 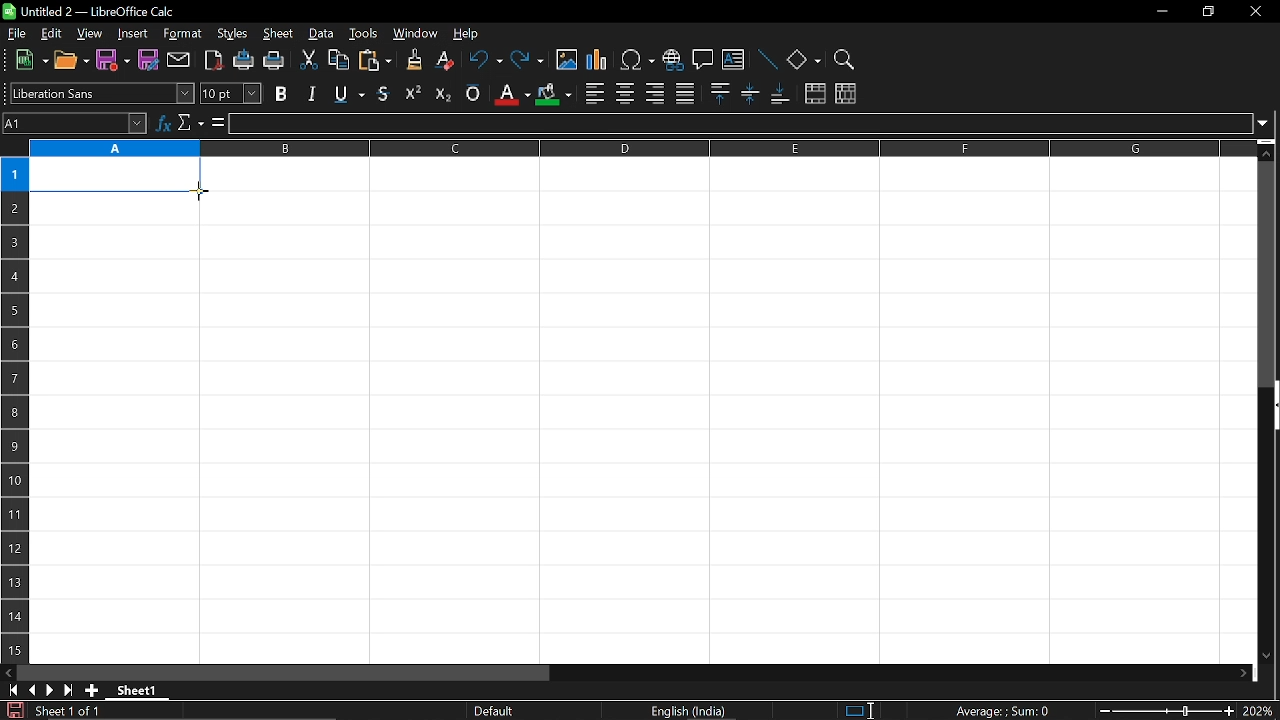 What do you see at coordinates (242, 61) in the screenshot?
I see `print directly` at bounding box center [242, 61].